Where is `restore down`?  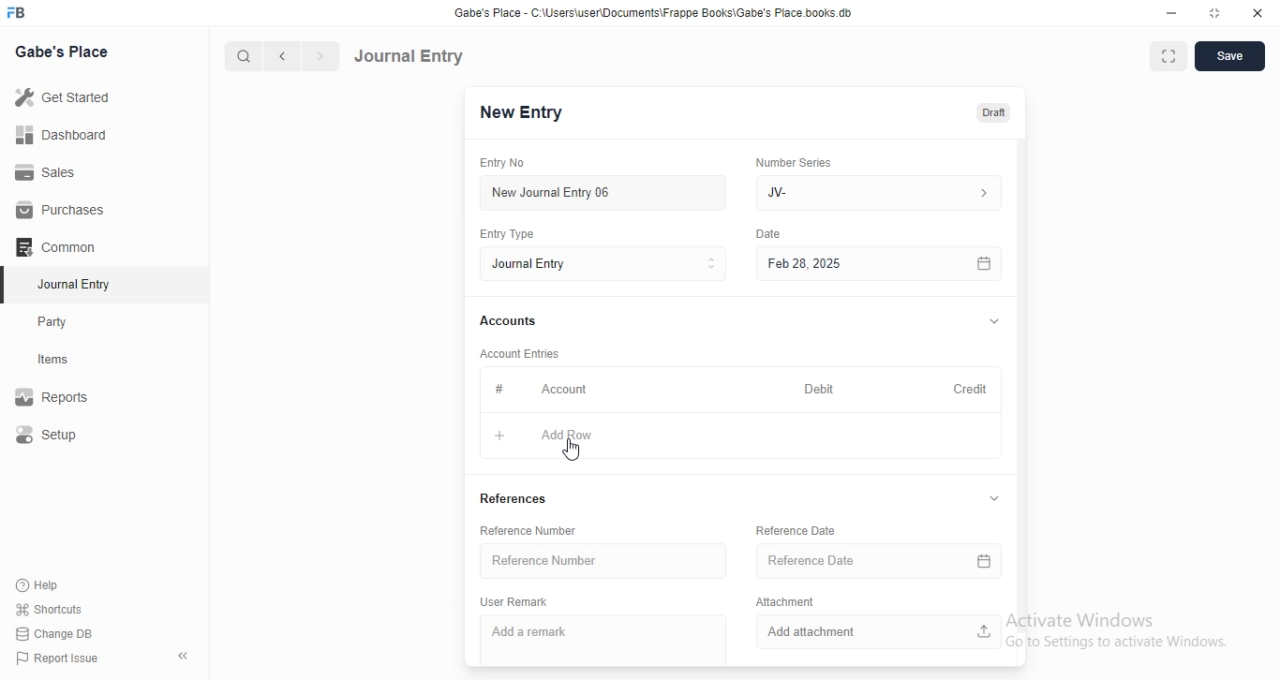 restore down is located at coordinates (1216, 15).